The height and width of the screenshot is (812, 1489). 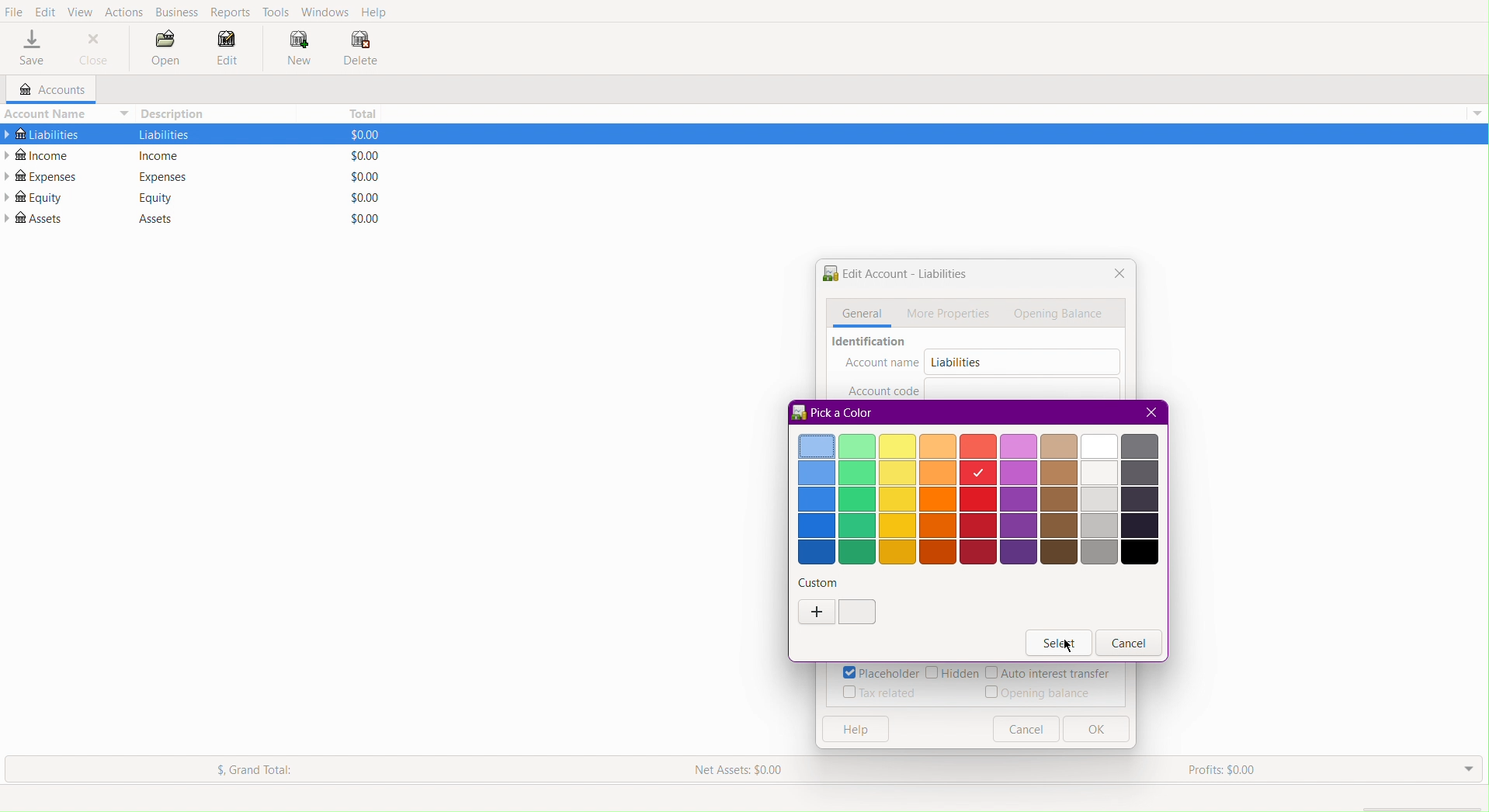 I want to click on $0.00, so click(x=358, y=134).